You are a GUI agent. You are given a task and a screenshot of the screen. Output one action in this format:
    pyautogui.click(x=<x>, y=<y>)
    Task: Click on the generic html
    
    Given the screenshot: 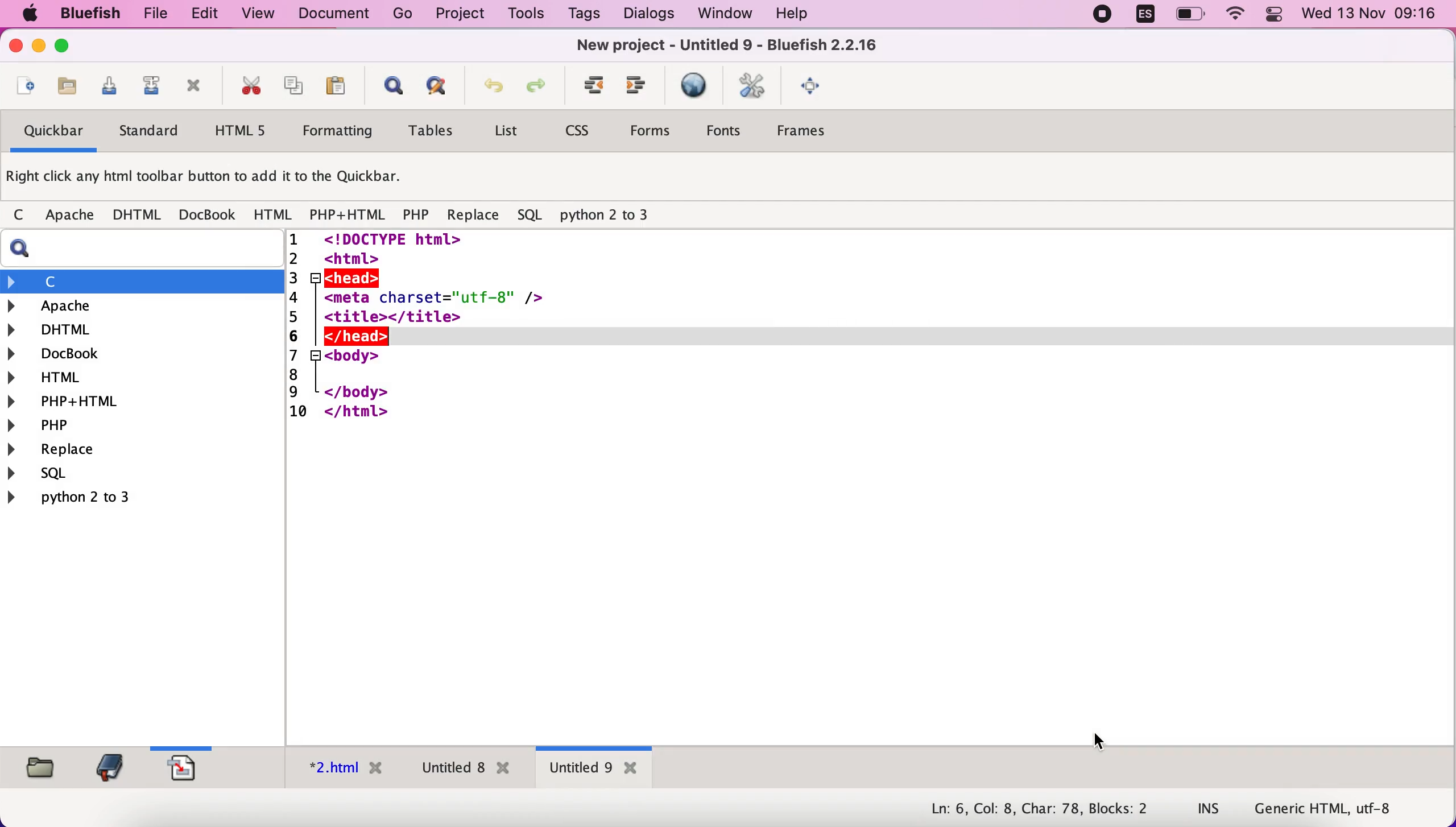 What is the action you would take?
    pyautogui.click(x=1341, y=808)
    